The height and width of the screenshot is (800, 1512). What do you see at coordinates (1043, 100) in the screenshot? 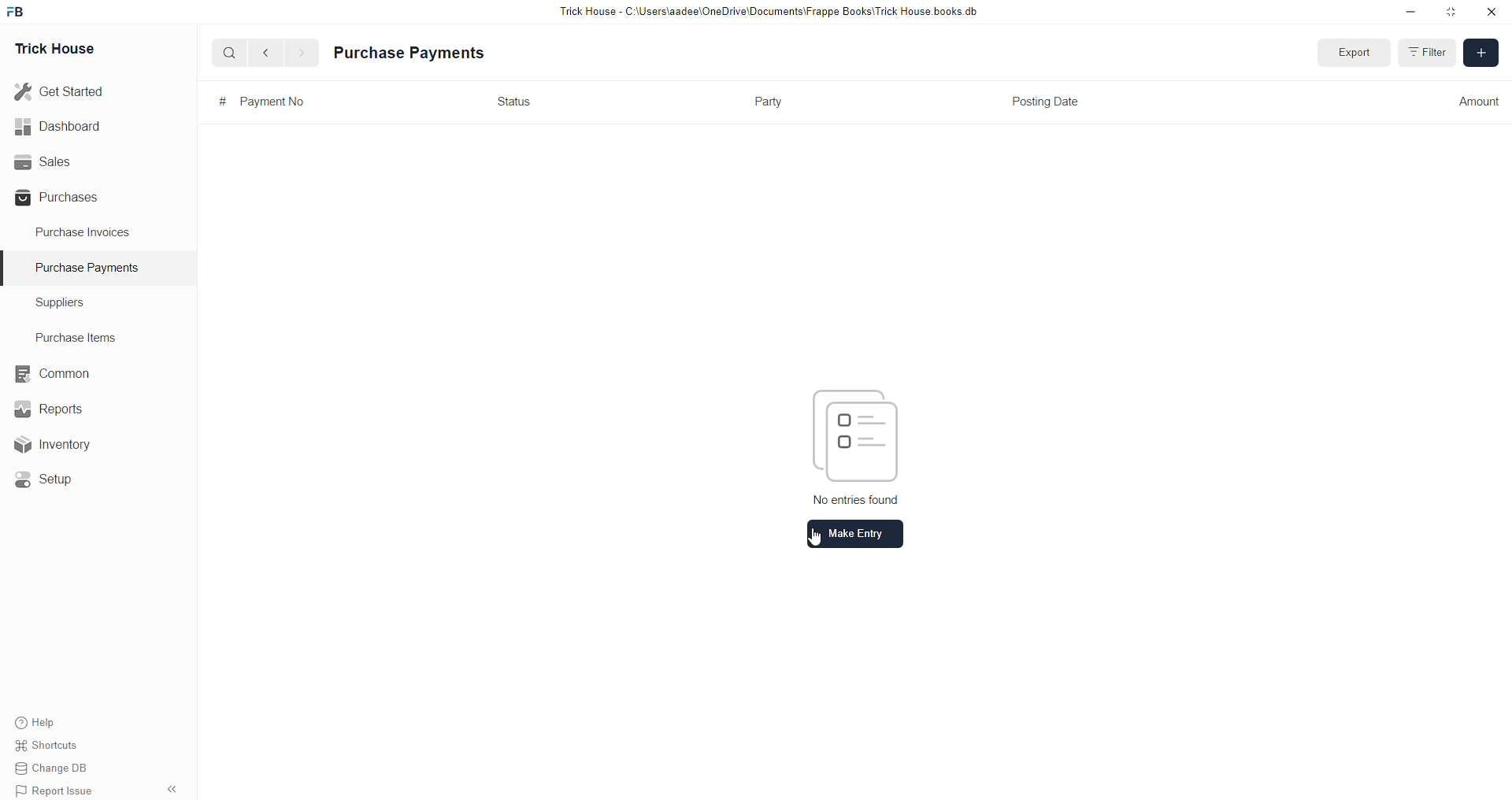
I see `Posting Date` at bounding box center [1043, 100].